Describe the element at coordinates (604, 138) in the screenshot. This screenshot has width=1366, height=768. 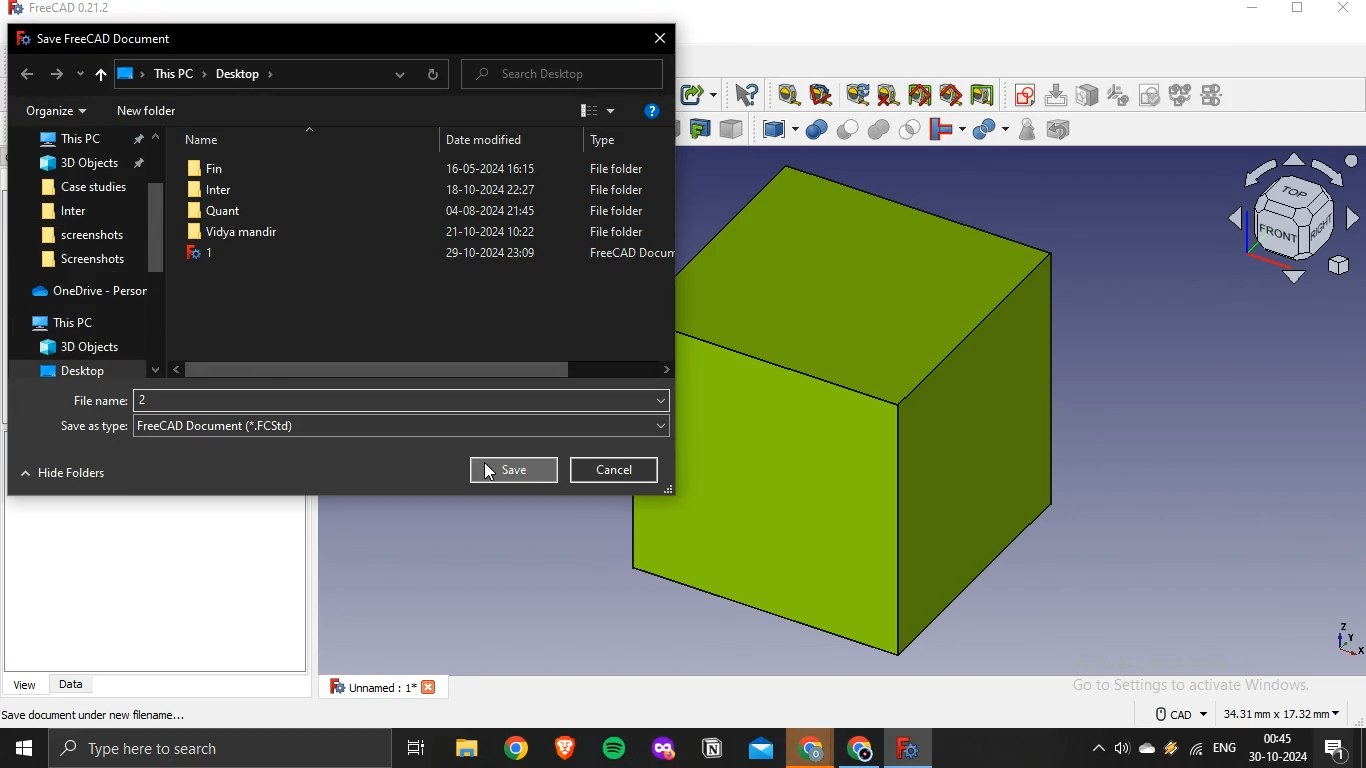
I see `Type` at that location.